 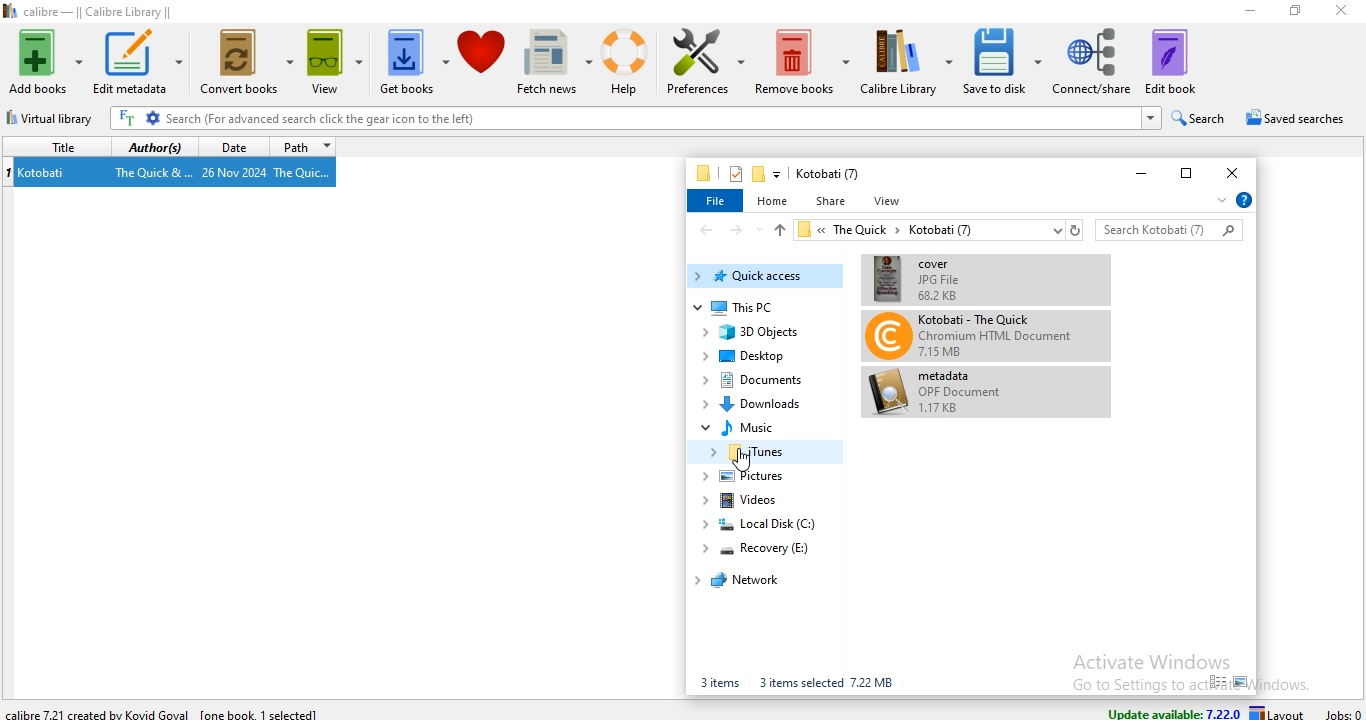 I want to click on refresh, so click(x=1075, y=229).